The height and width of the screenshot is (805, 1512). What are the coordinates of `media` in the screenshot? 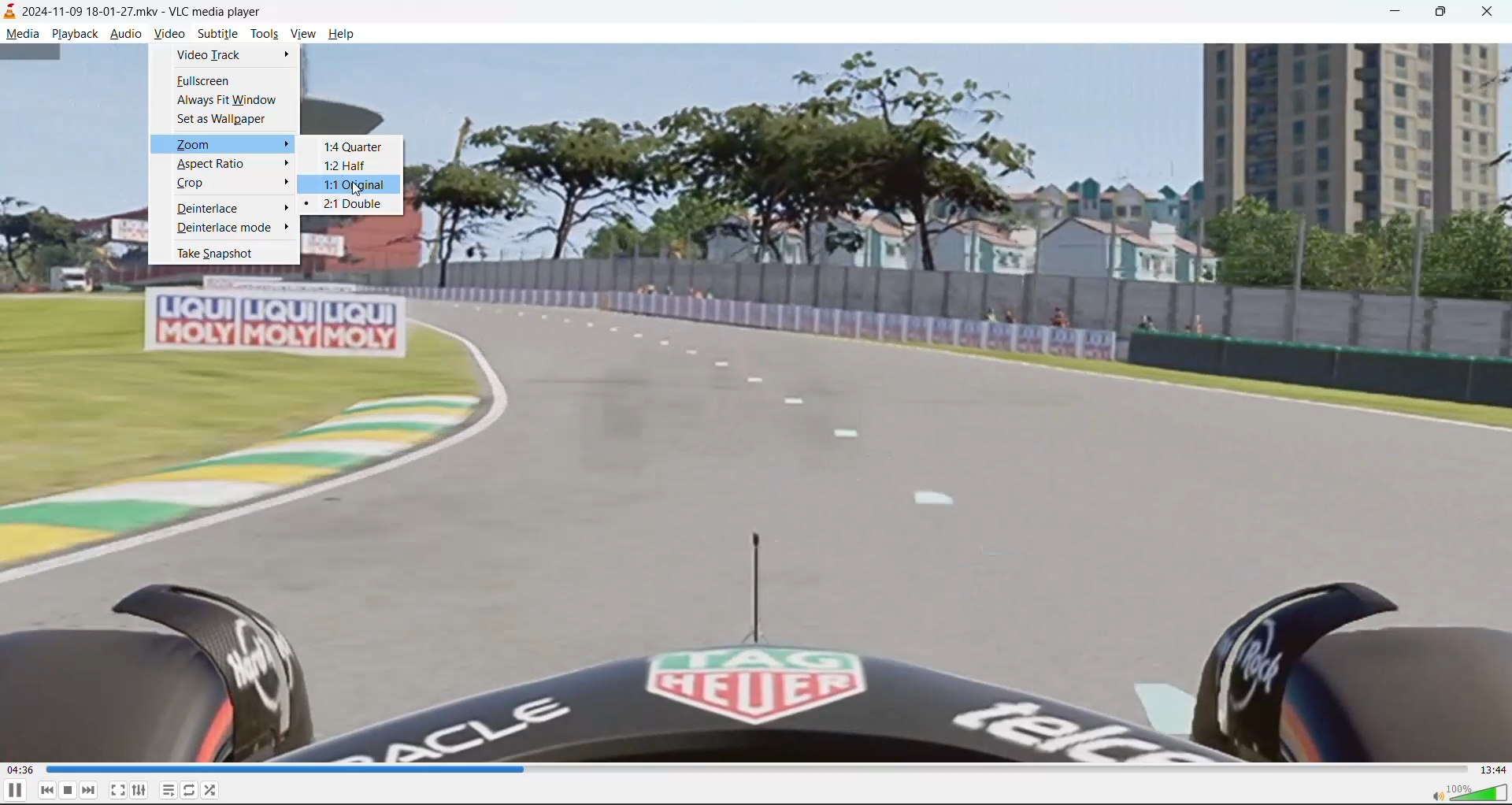 It's located at (20, 34).